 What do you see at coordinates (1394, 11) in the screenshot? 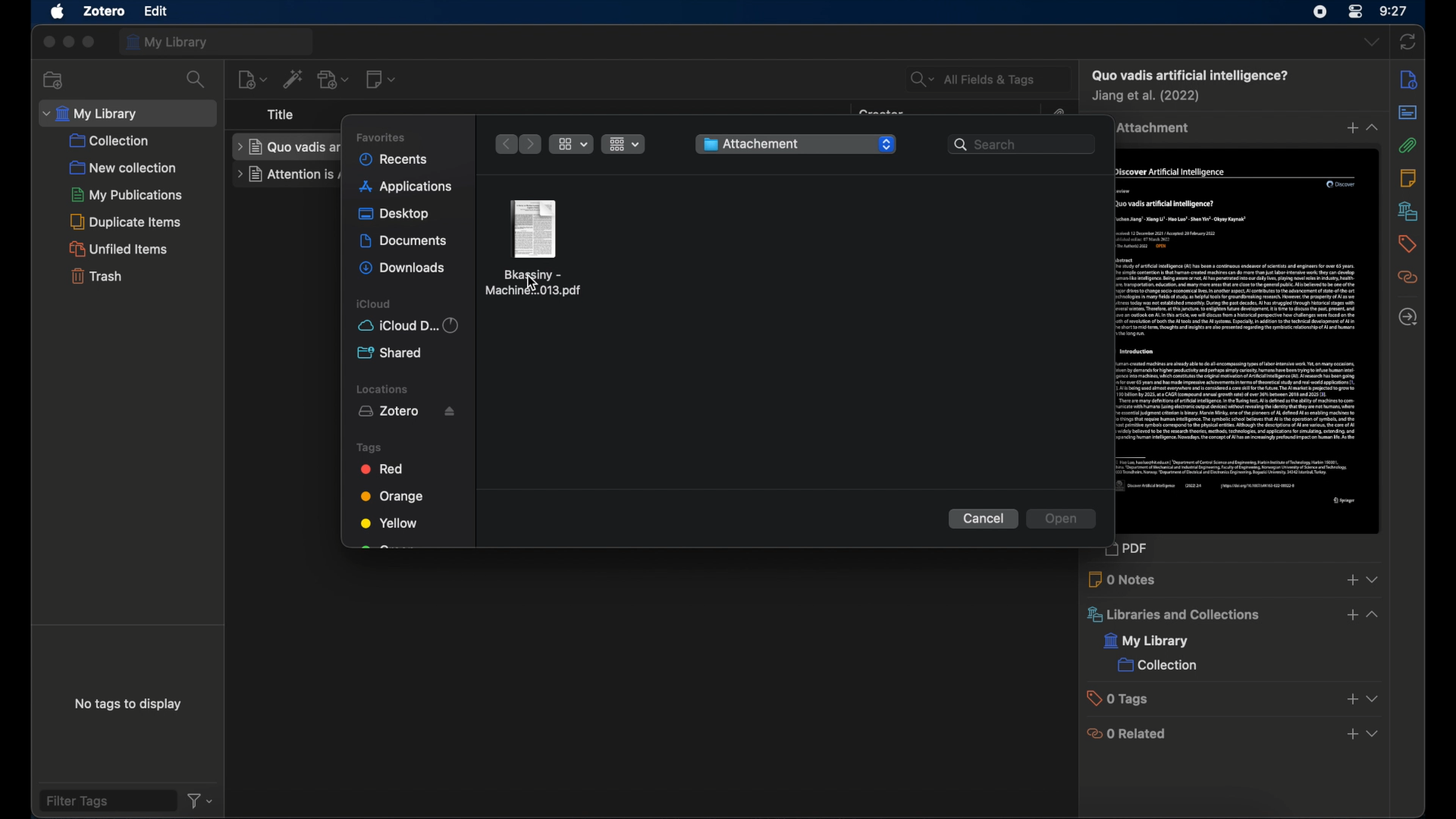
I see `time` at bounding box center [1394, 11].